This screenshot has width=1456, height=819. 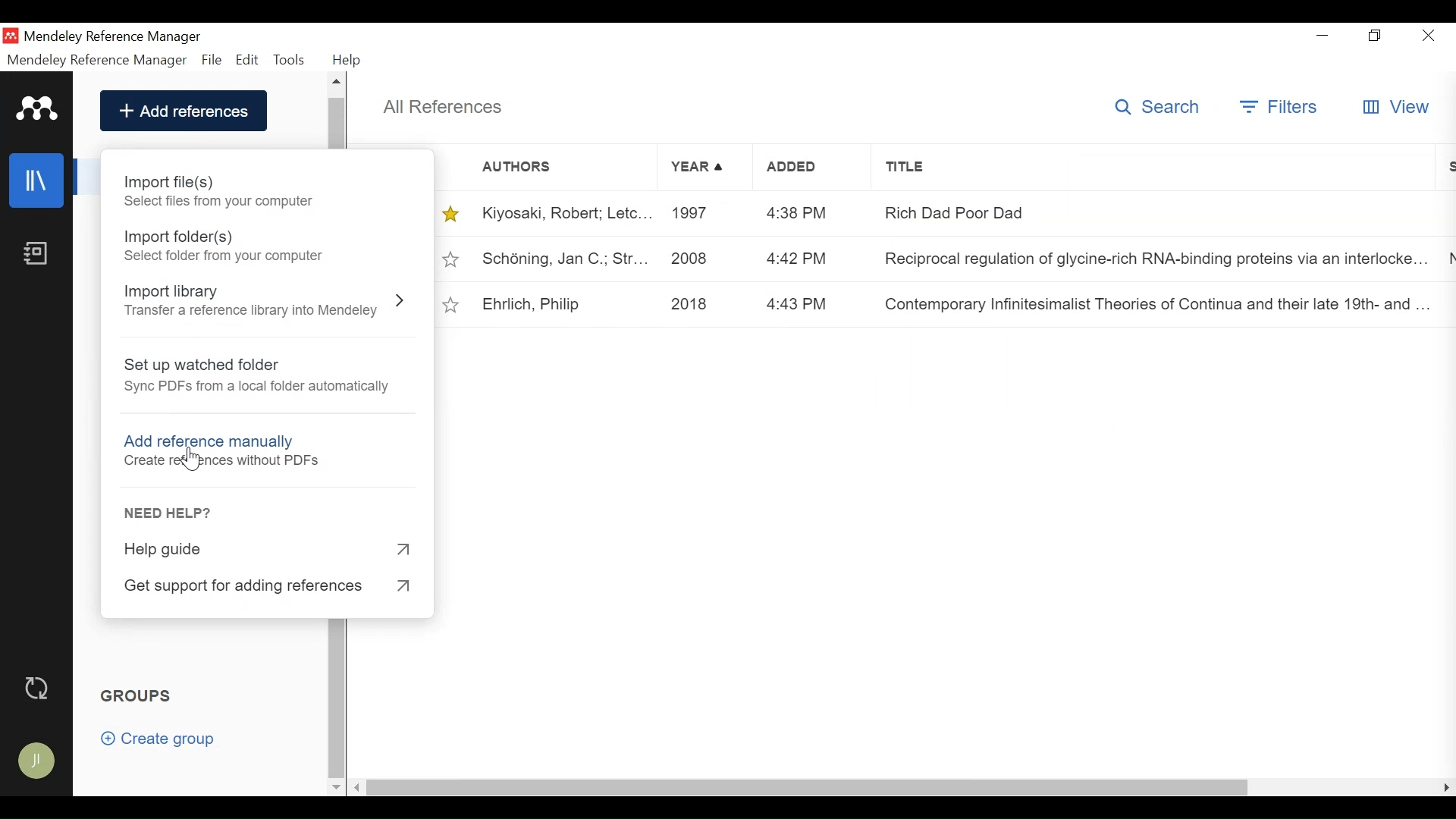 I want to click on Added, so click(x=812, y=170).